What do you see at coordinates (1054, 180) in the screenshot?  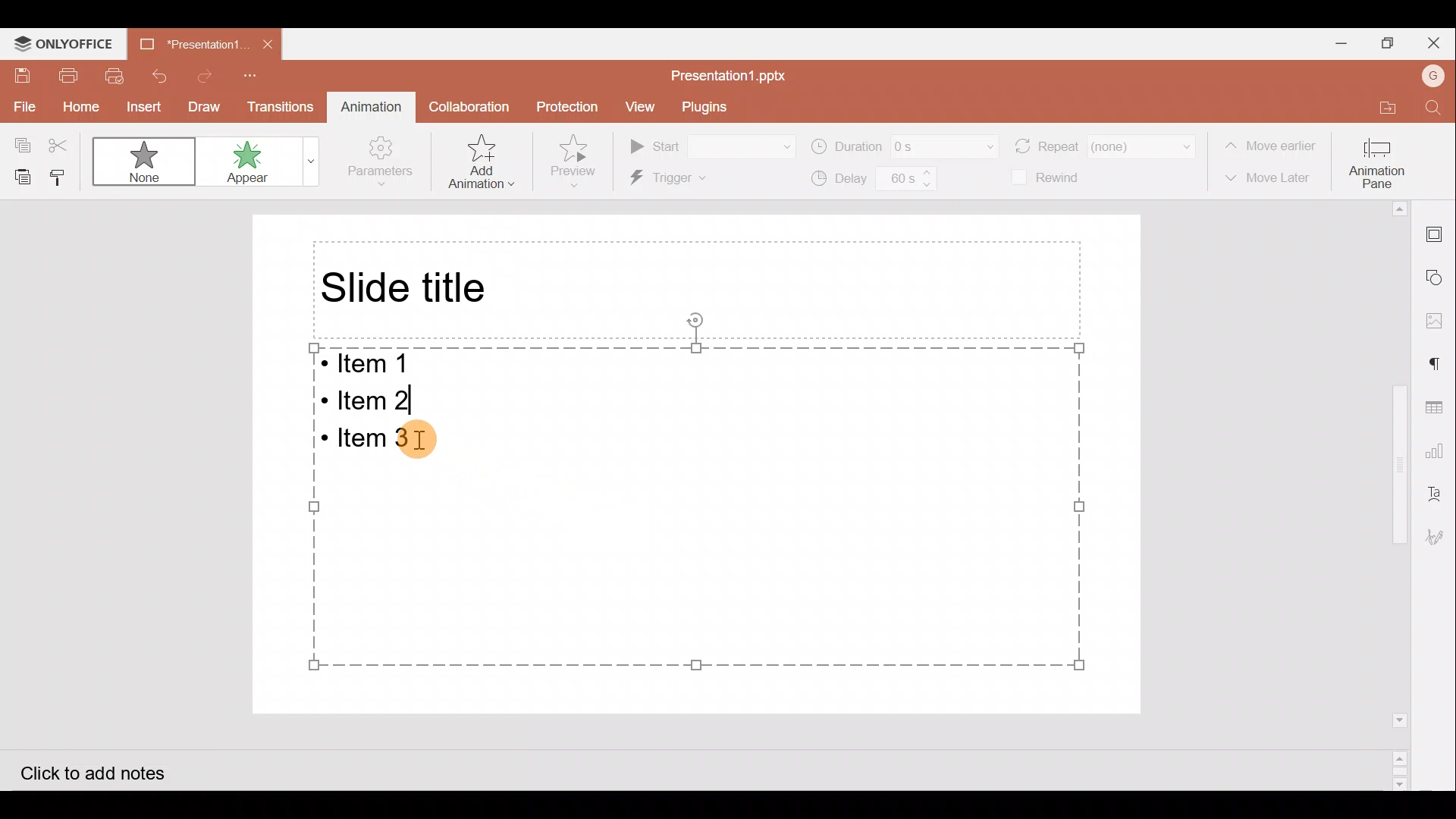 I see `Rewind` at bounding box center [1054, 180].